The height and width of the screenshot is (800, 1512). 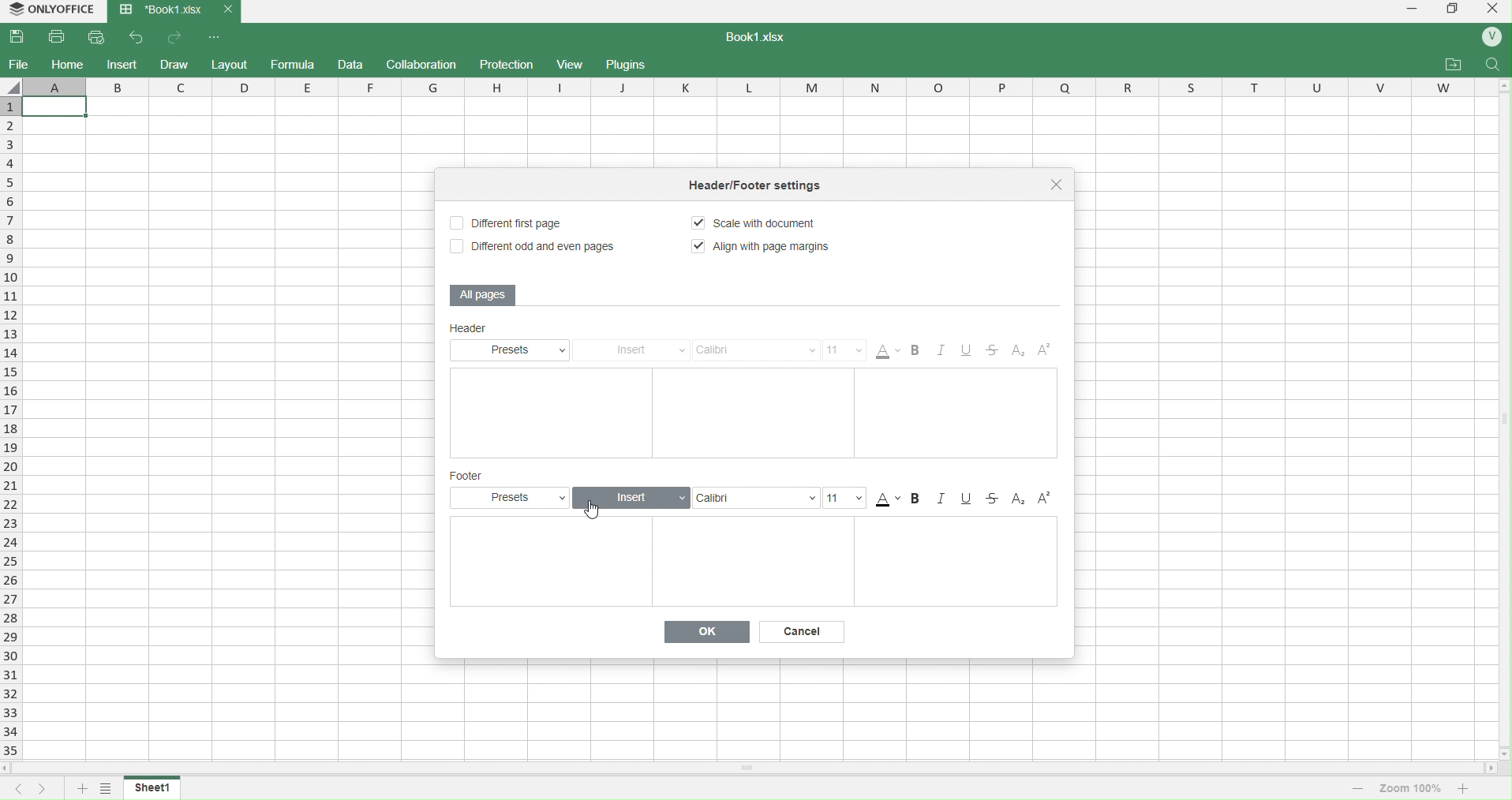 I want to click on tittle, so click(x=775, y=188).